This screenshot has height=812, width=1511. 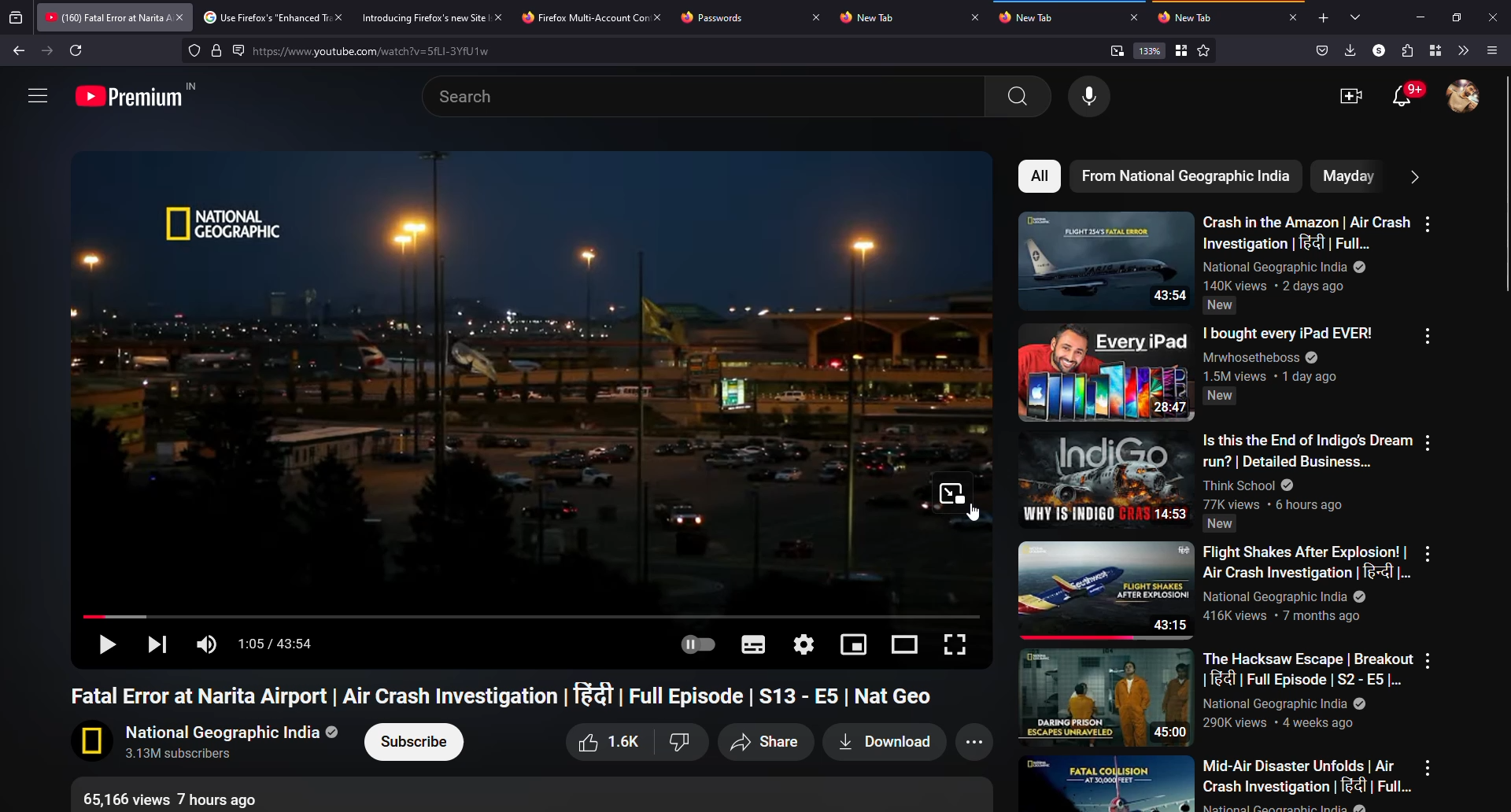 I want to click on close, so click(x=1496, y=17).